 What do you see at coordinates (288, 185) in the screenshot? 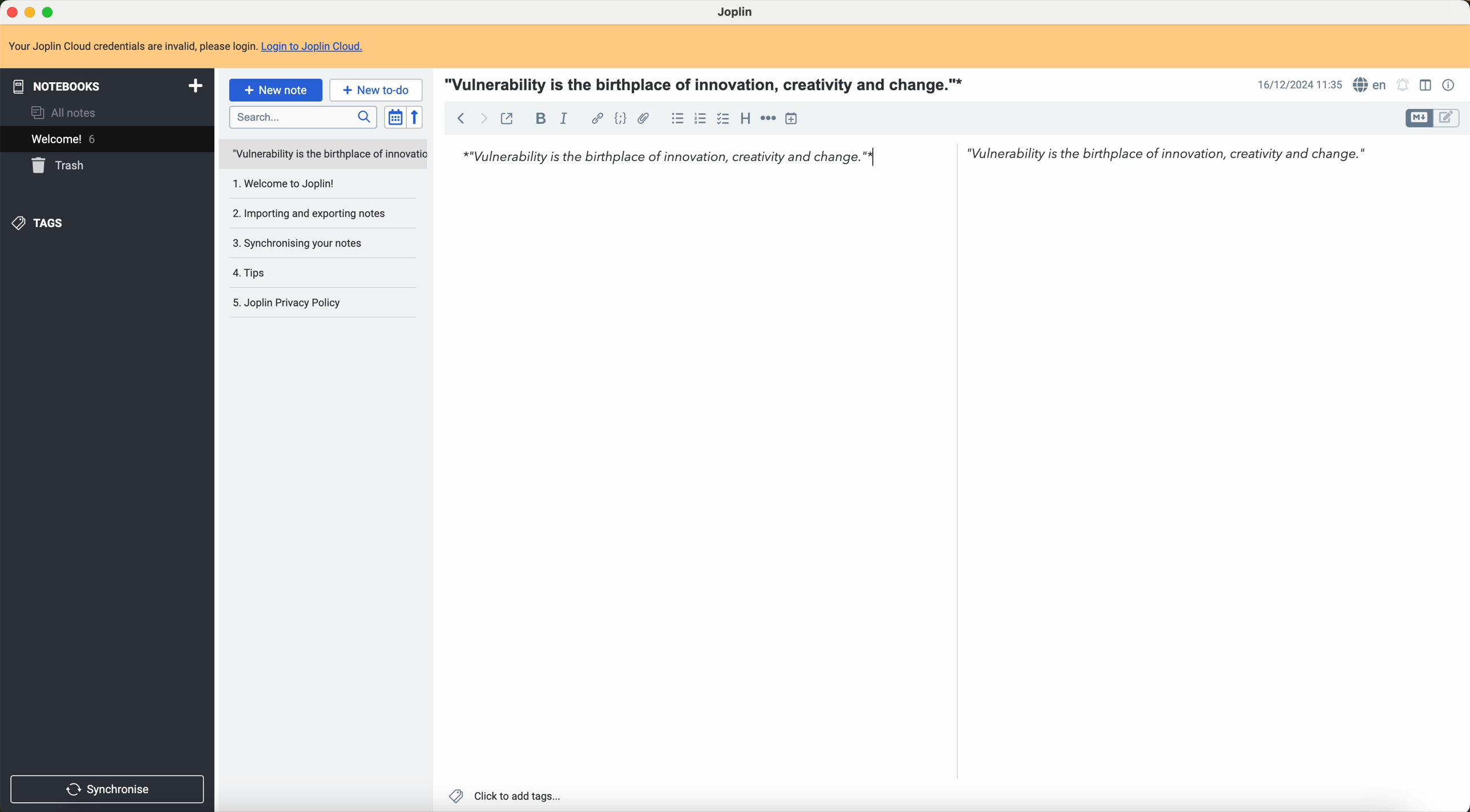
I see `1.welcome to Joplin` at bounding box center [288, 185].